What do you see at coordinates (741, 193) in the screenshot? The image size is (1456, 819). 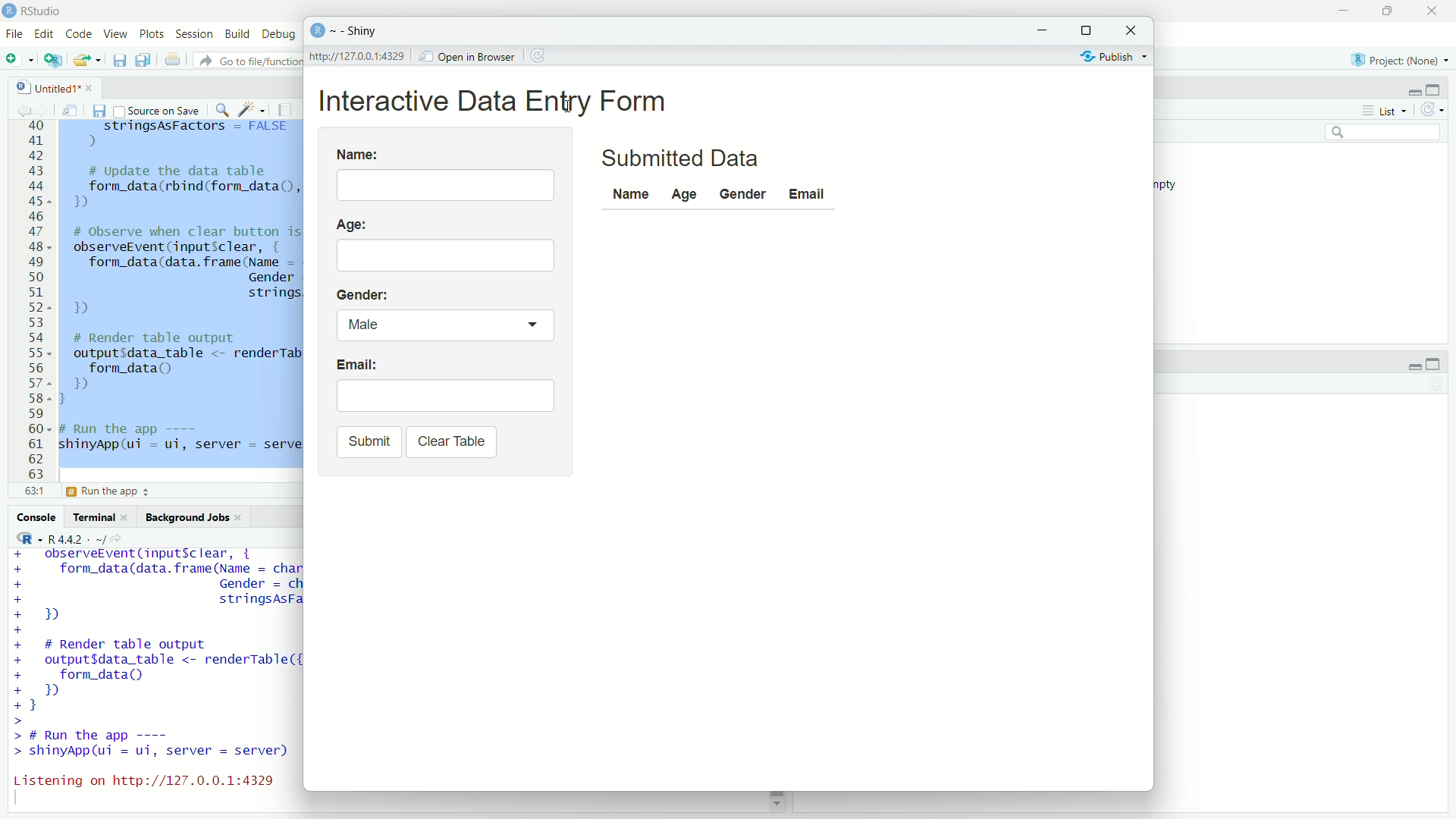 I see `Gender` at bounding box center [741, 193].